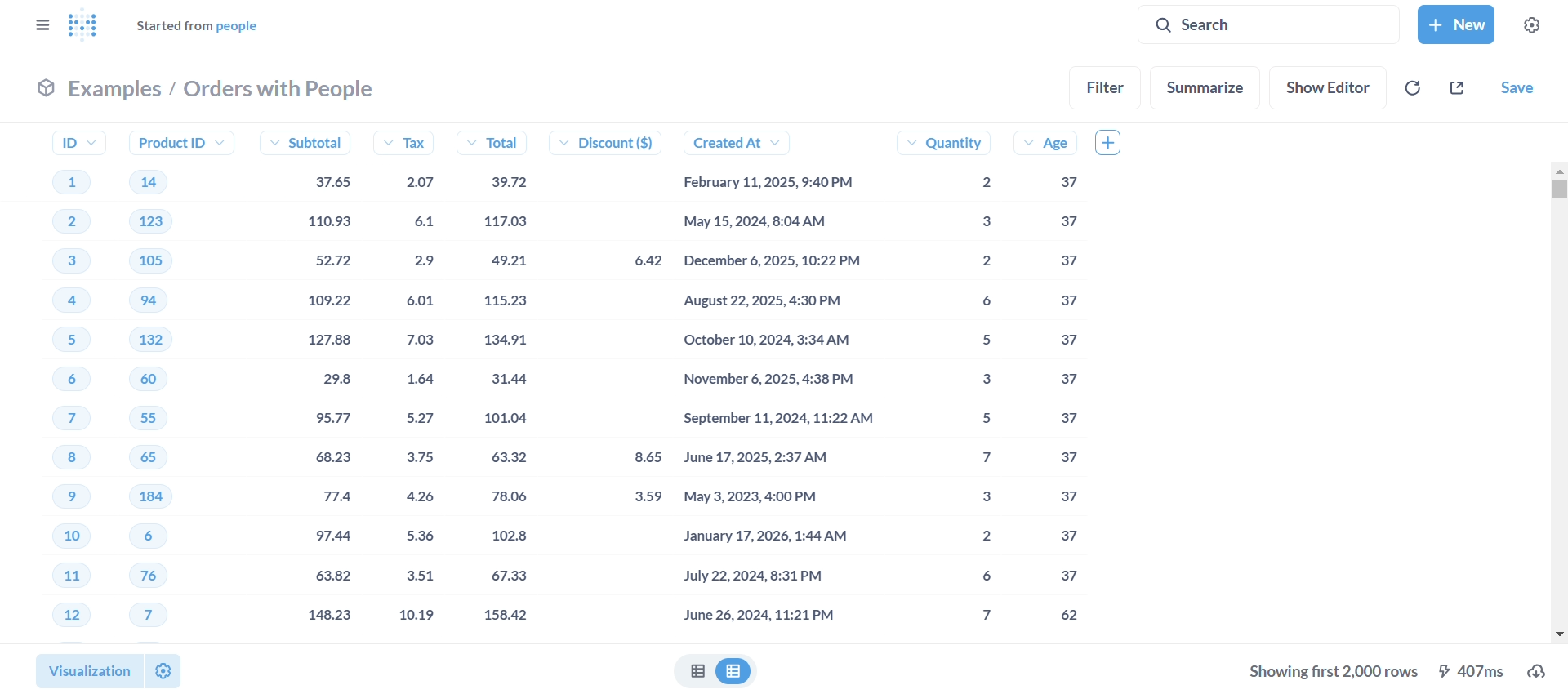  What do you see at coordinates (1115, 144) in the screenshot?
I see `add column` at bounding box center [1115, 144].